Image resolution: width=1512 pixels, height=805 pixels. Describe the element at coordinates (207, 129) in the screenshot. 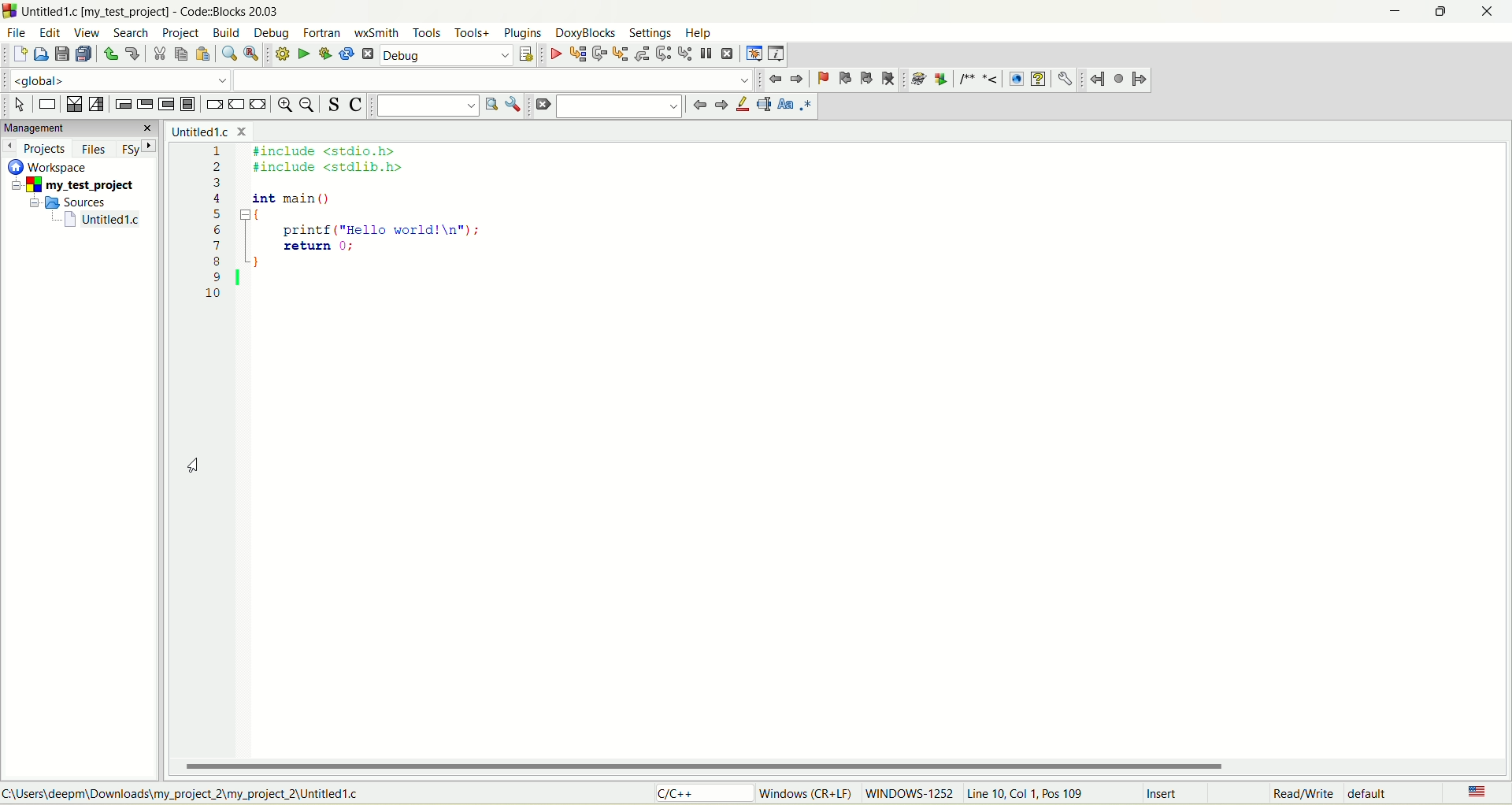

I see `untitled1.c` at that location.